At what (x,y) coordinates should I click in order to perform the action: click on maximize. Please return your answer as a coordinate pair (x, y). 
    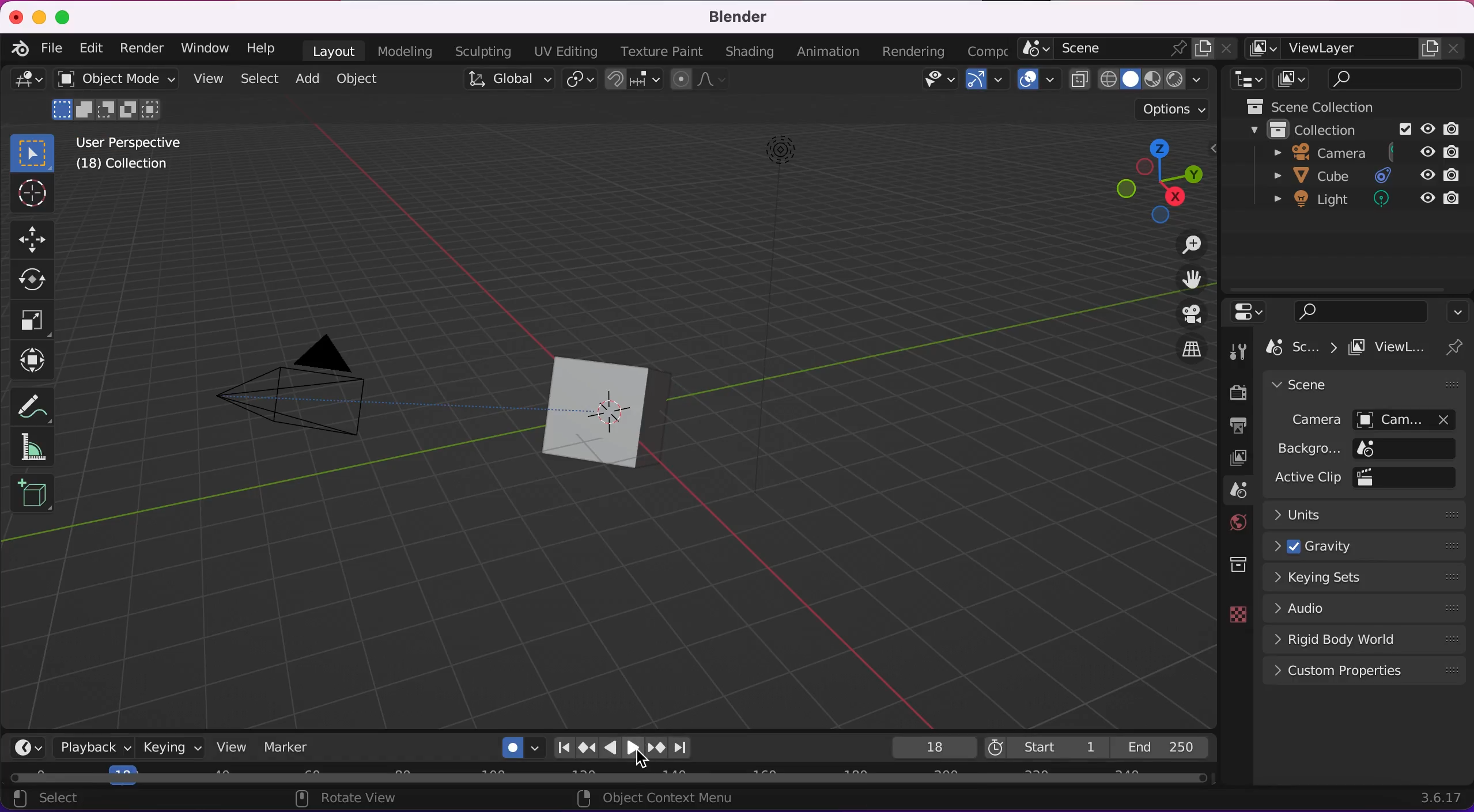
    Looking at the image, I should click on (66, 17).